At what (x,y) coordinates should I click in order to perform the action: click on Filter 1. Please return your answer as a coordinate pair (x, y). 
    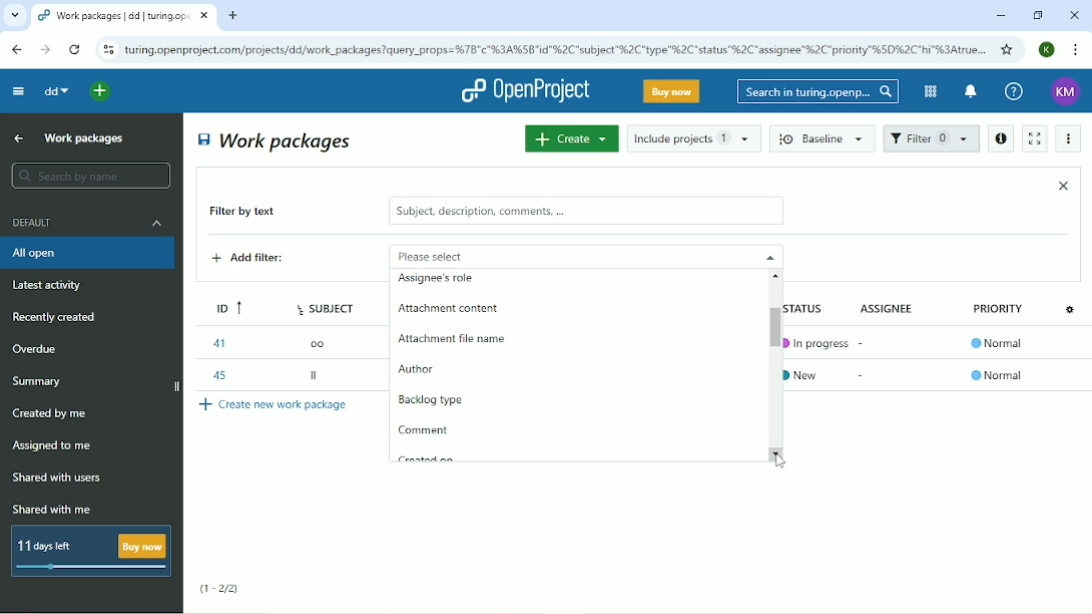
    Looking at the image, I should click on (931, 140).